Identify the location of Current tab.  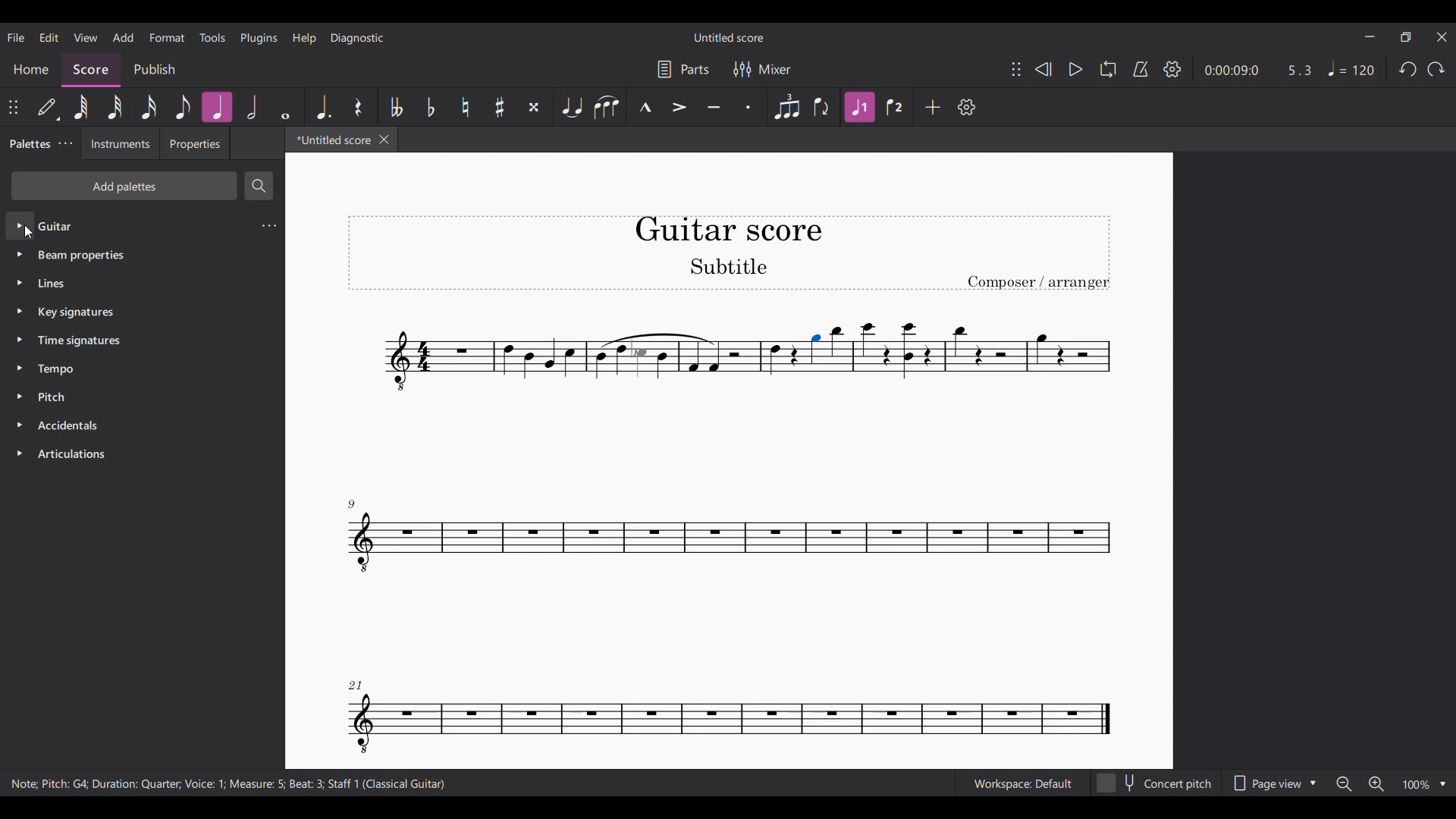
(330, 140).